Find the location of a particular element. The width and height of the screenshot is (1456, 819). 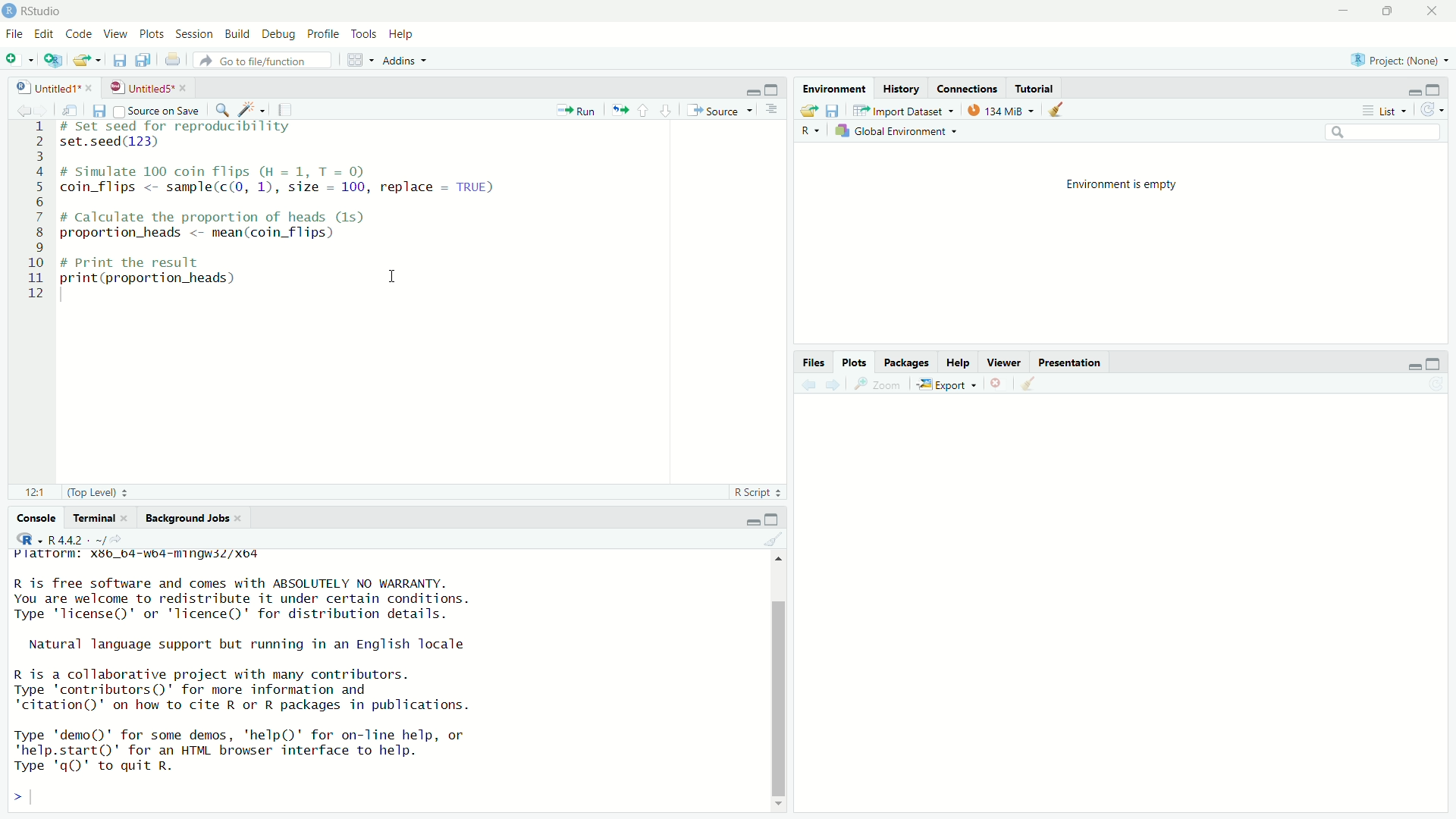

clear objects from the workspace is located at coordinates (1060, 110).